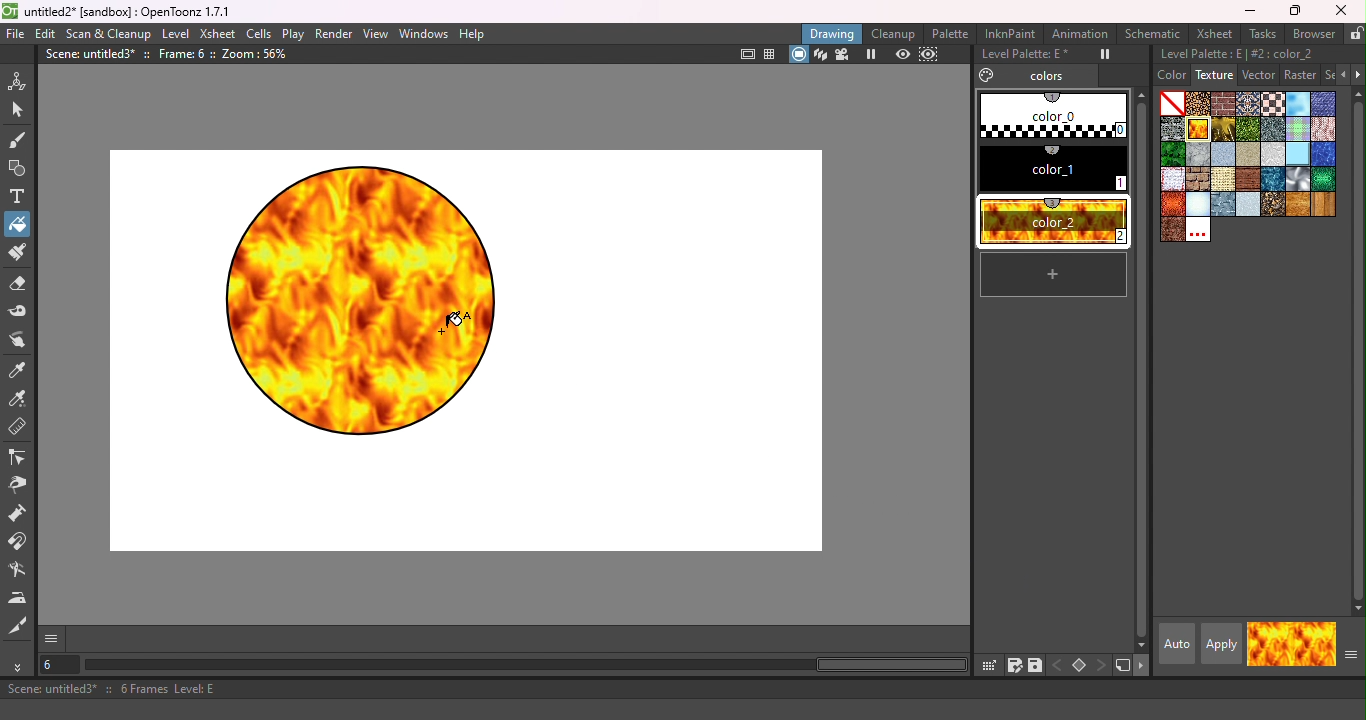 This screenshot has width=1366, height=720. What do you see at coordinates (1358, 350) in the screenshot?
I see `vertical scroll bar` at bounding box center [1358, 350].